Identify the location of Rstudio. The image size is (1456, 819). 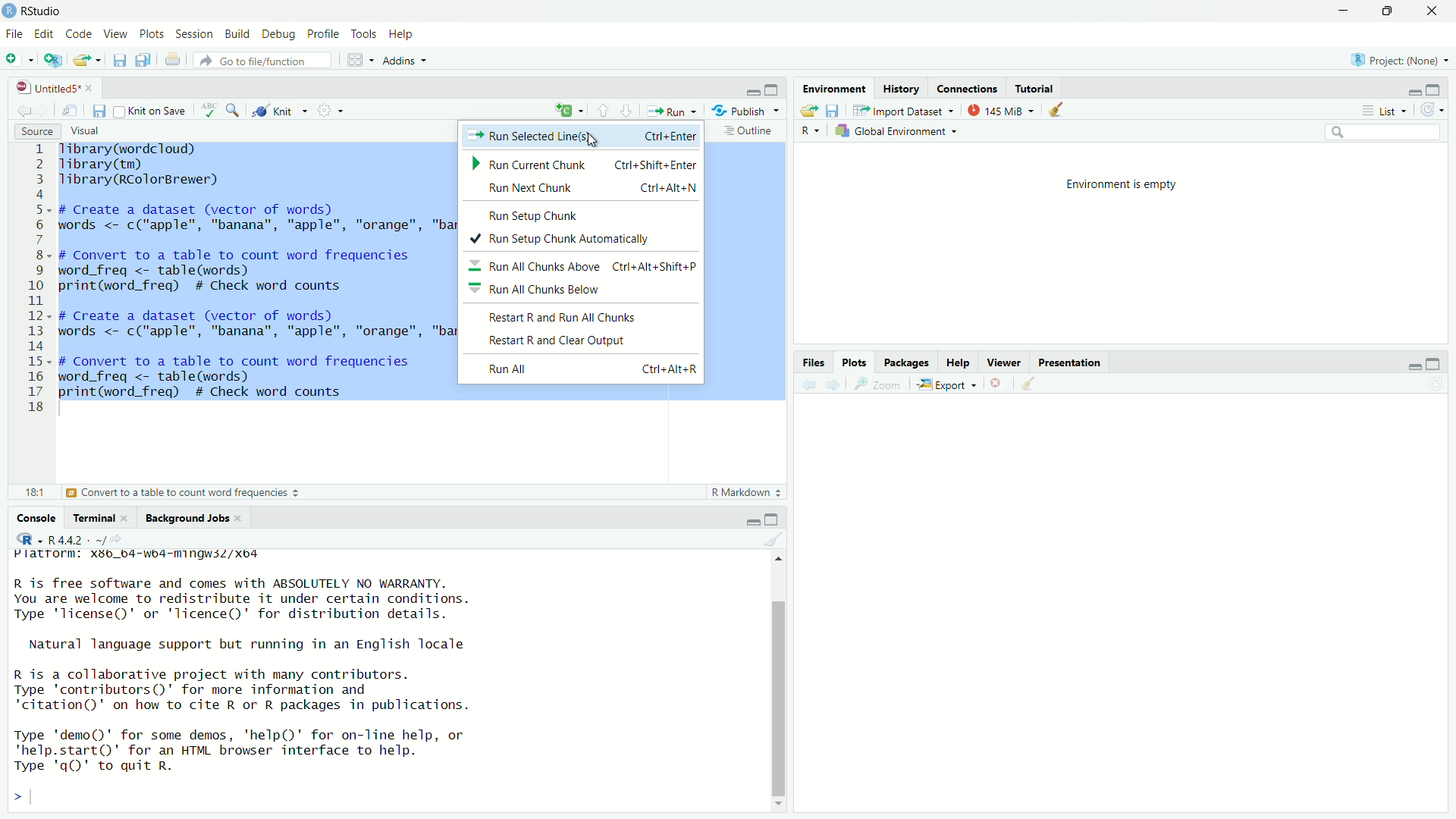
(35, 10).